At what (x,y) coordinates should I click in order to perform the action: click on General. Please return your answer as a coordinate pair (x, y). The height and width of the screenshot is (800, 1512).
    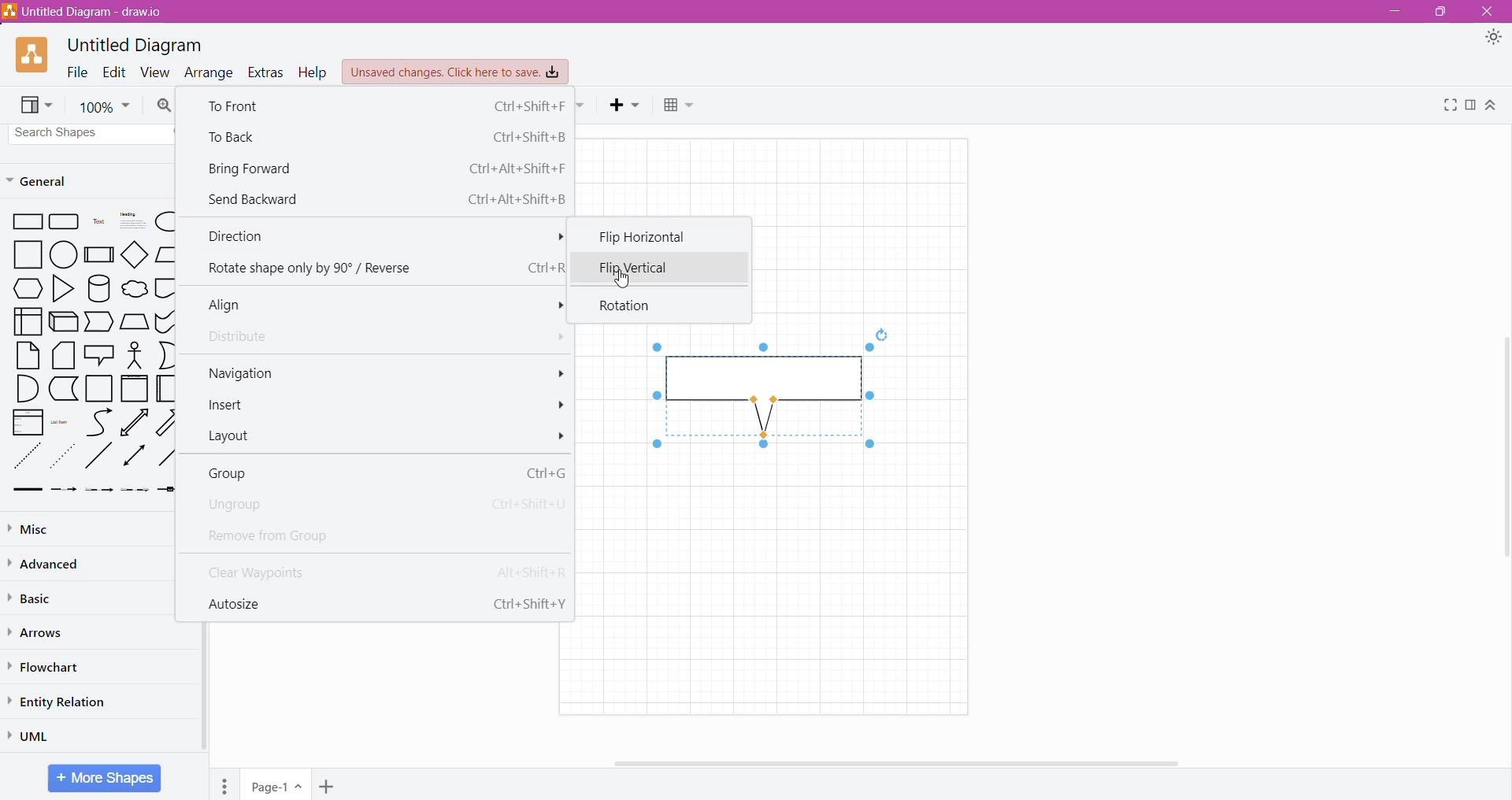
    Looking at the image, I should click on (47, 180).